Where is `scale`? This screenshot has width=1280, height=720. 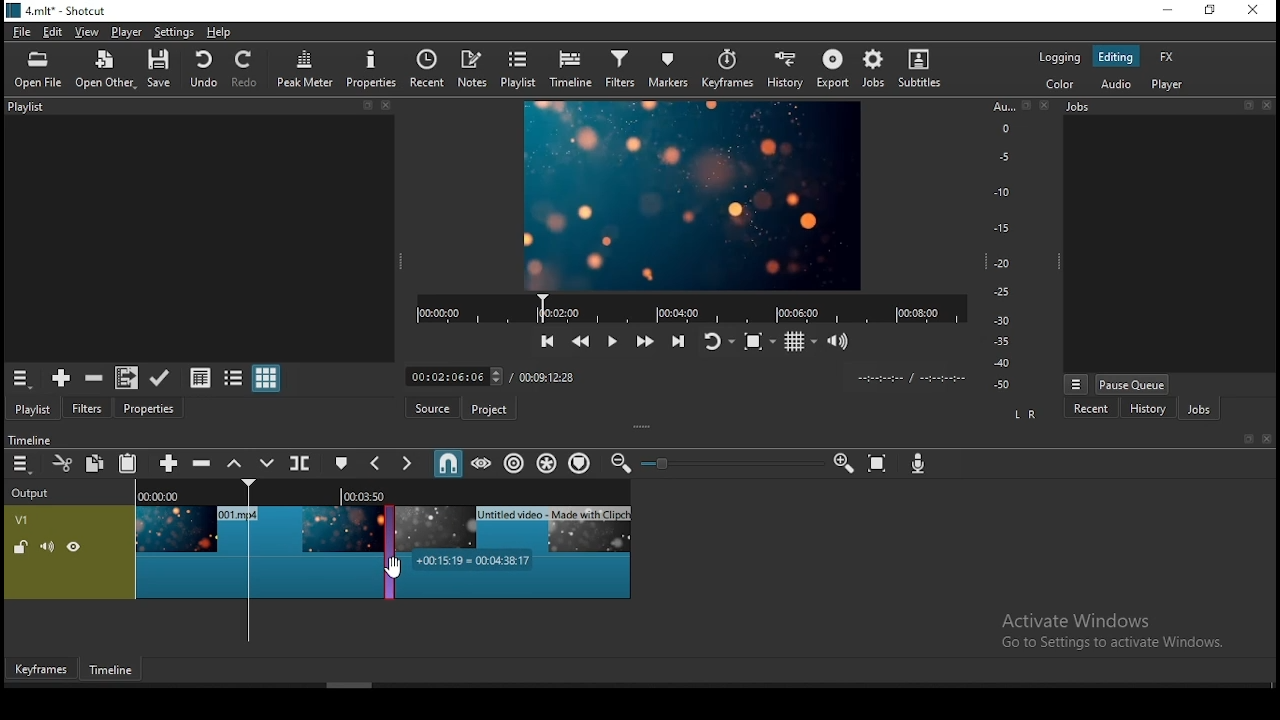 scale is located at coordinates (1007, 243).